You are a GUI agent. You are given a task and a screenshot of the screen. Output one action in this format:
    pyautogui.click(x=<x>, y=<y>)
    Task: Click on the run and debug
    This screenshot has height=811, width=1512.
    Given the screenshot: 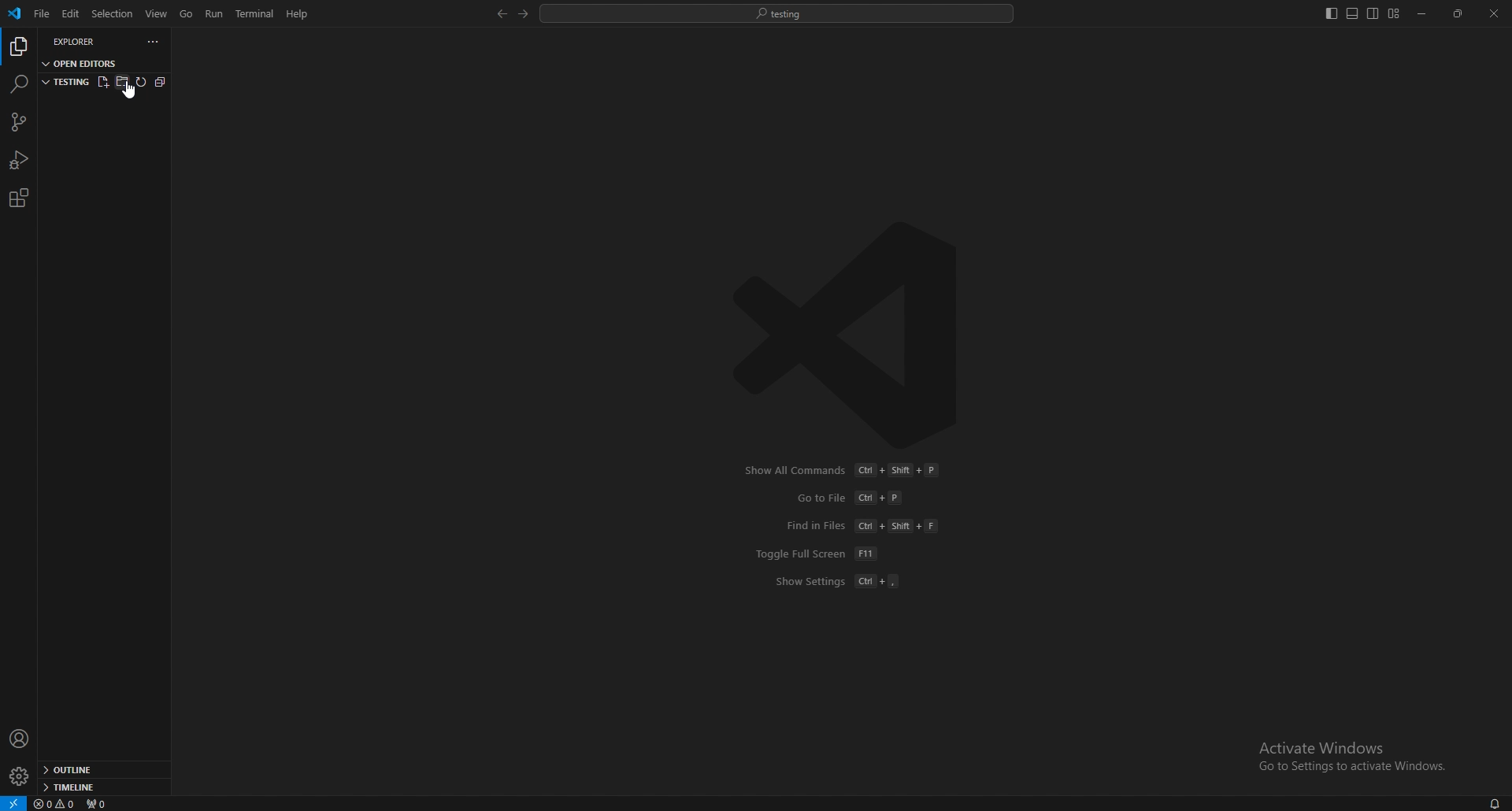 What is the action you would take?
    pyautogui.click(x=20, y=160)
    